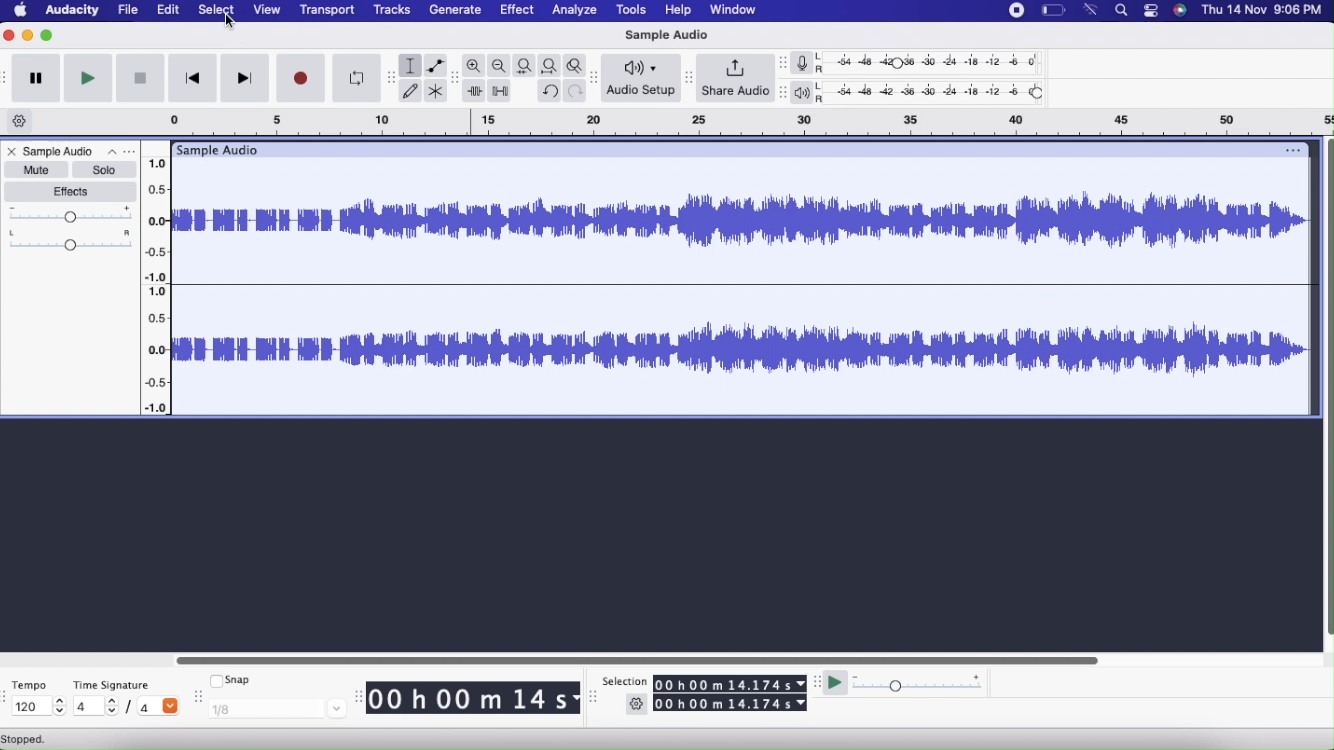  What do you see at coordinates (141, 78) in the screenshot?
I see `Stop` at bounding box center [141, 78].